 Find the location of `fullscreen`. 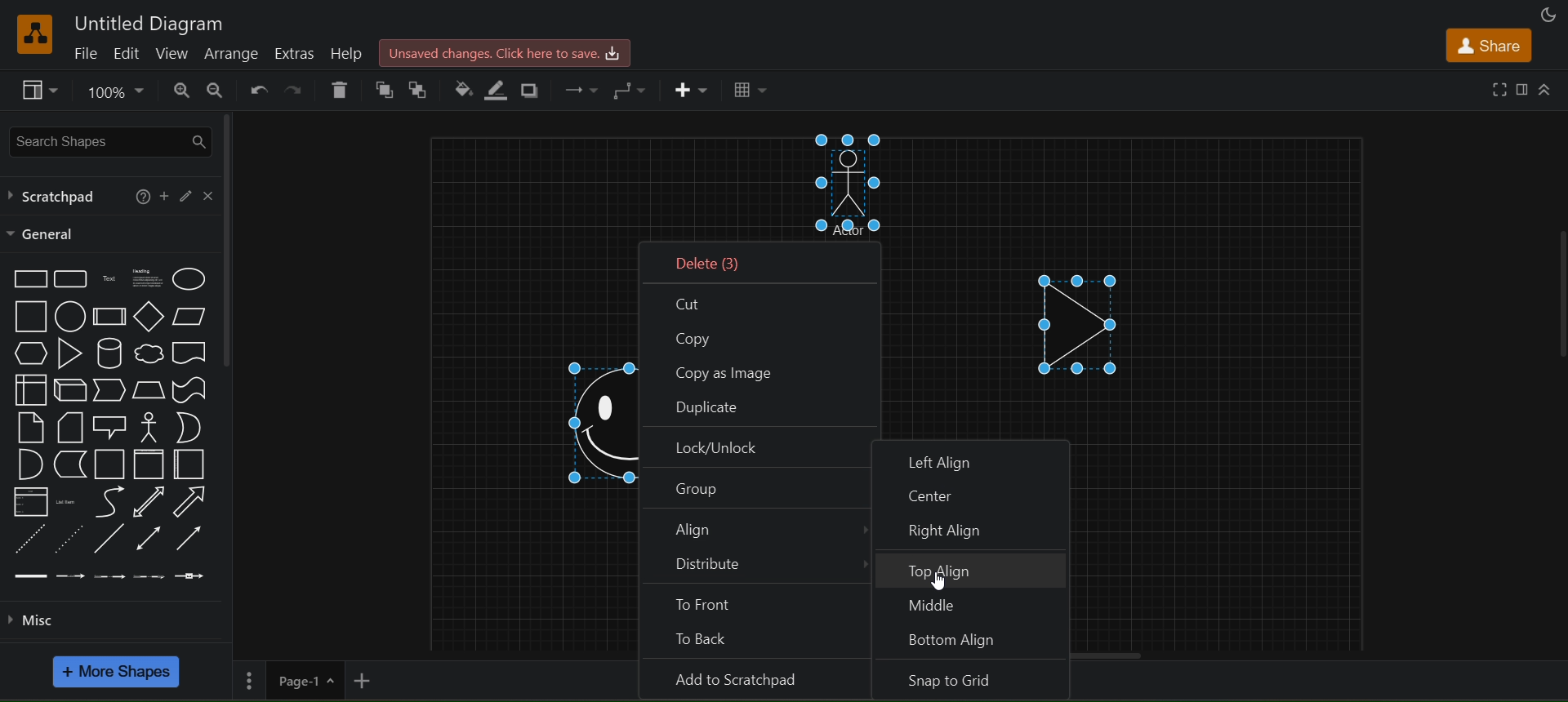

fullscreen is located at coordinates (1499, 88).